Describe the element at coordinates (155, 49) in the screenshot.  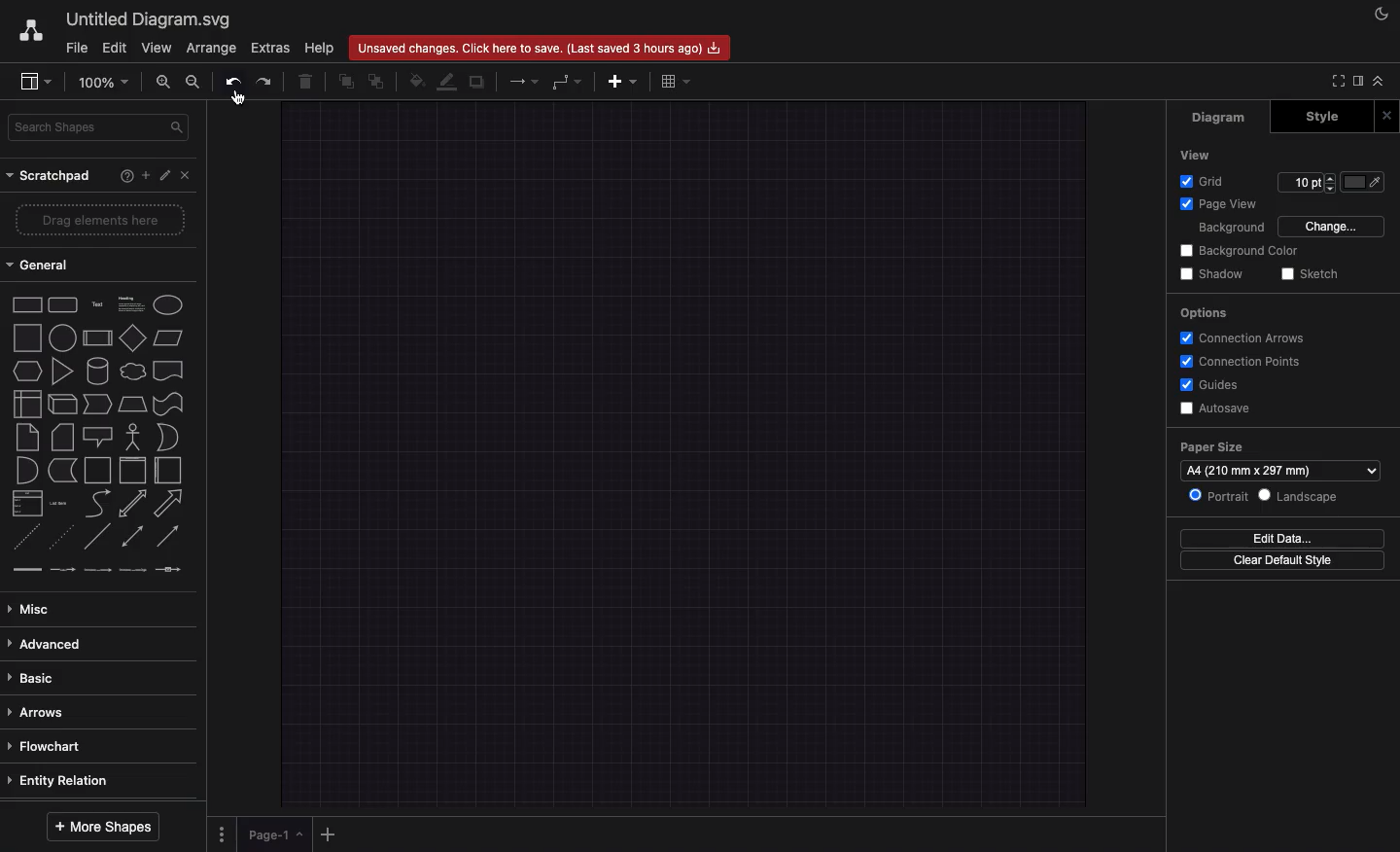
I see `View` at that location.